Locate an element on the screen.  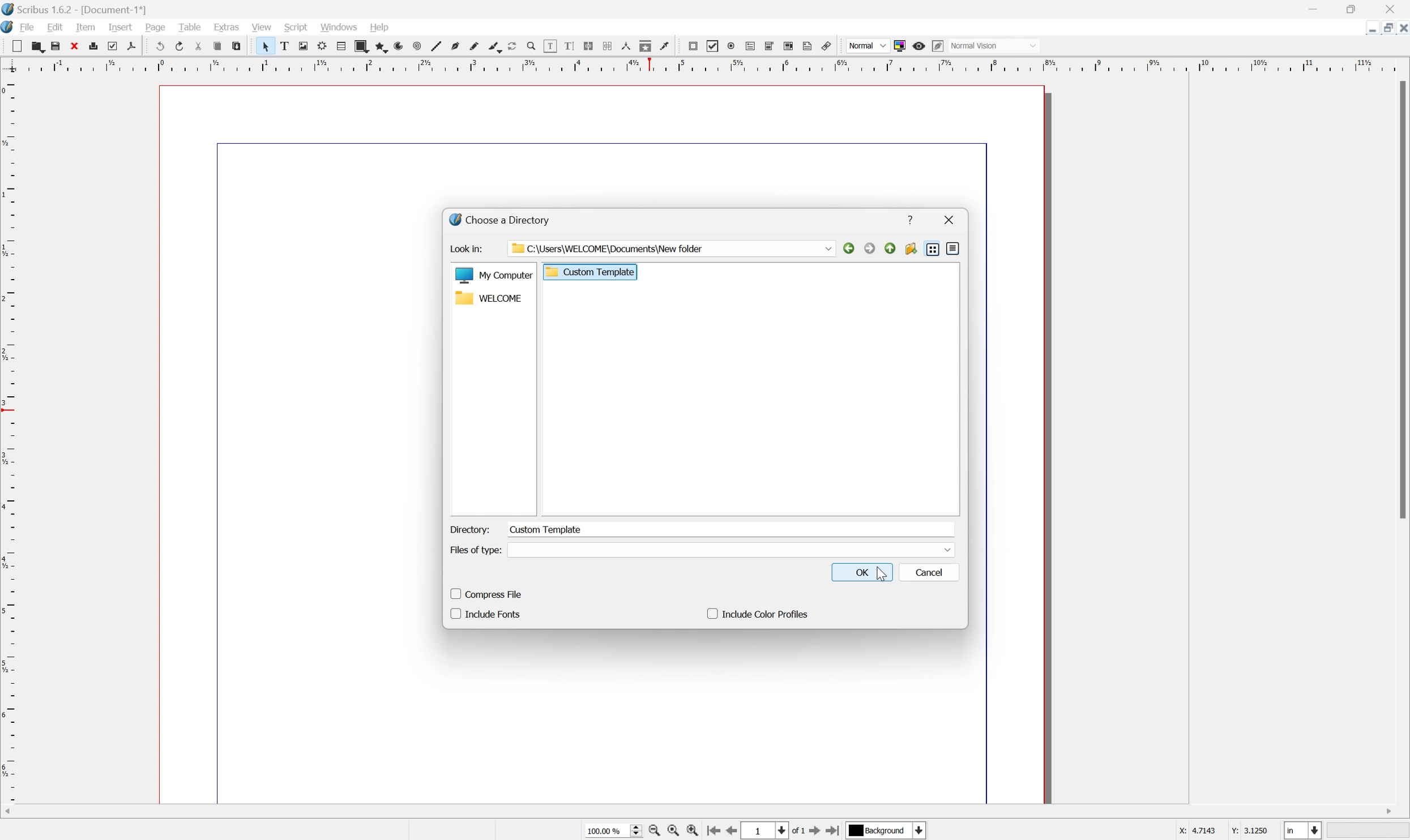
image frame is located at coordinates (304, 46).